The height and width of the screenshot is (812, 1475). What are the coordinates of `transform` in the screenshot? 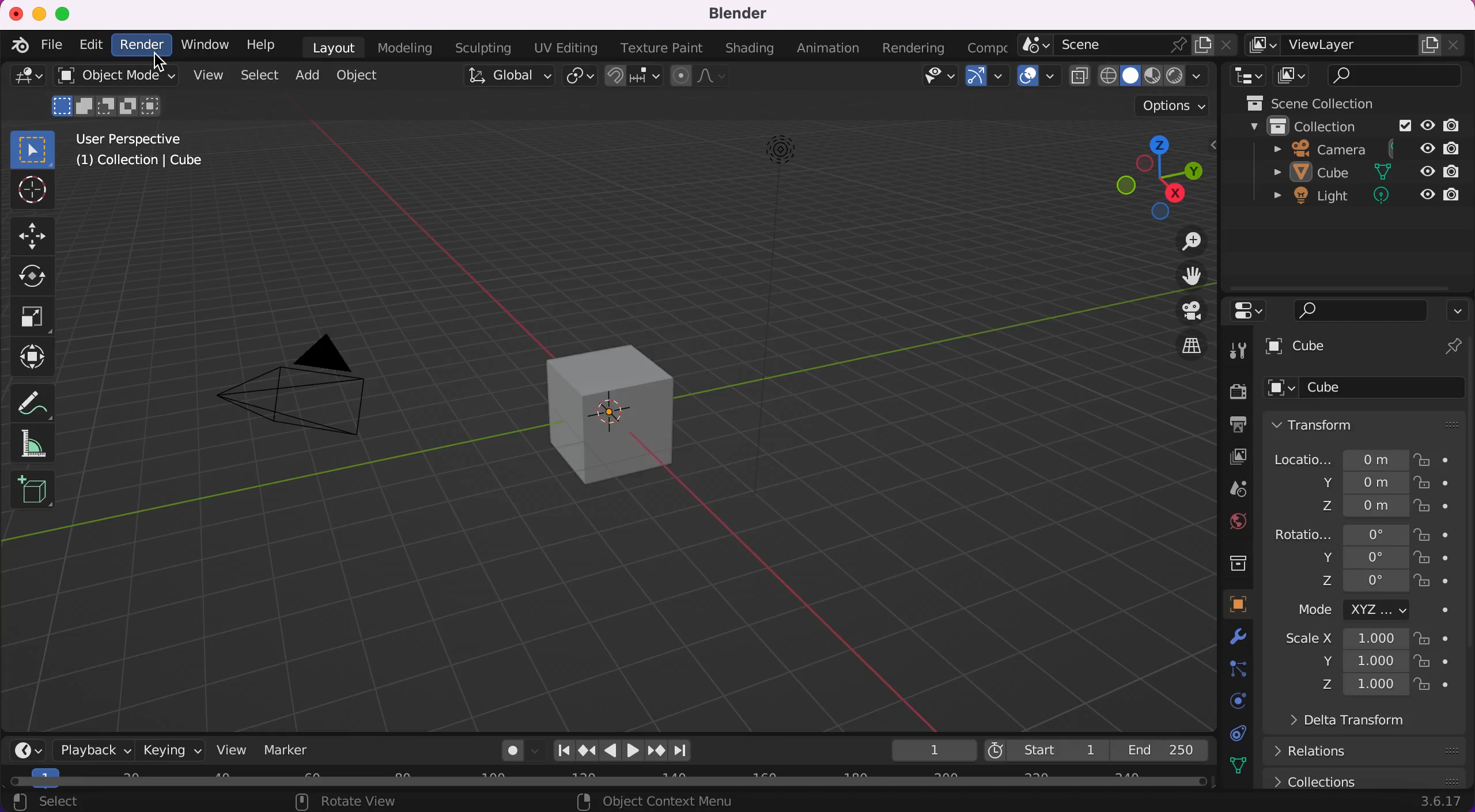 It's located at (41, 355).